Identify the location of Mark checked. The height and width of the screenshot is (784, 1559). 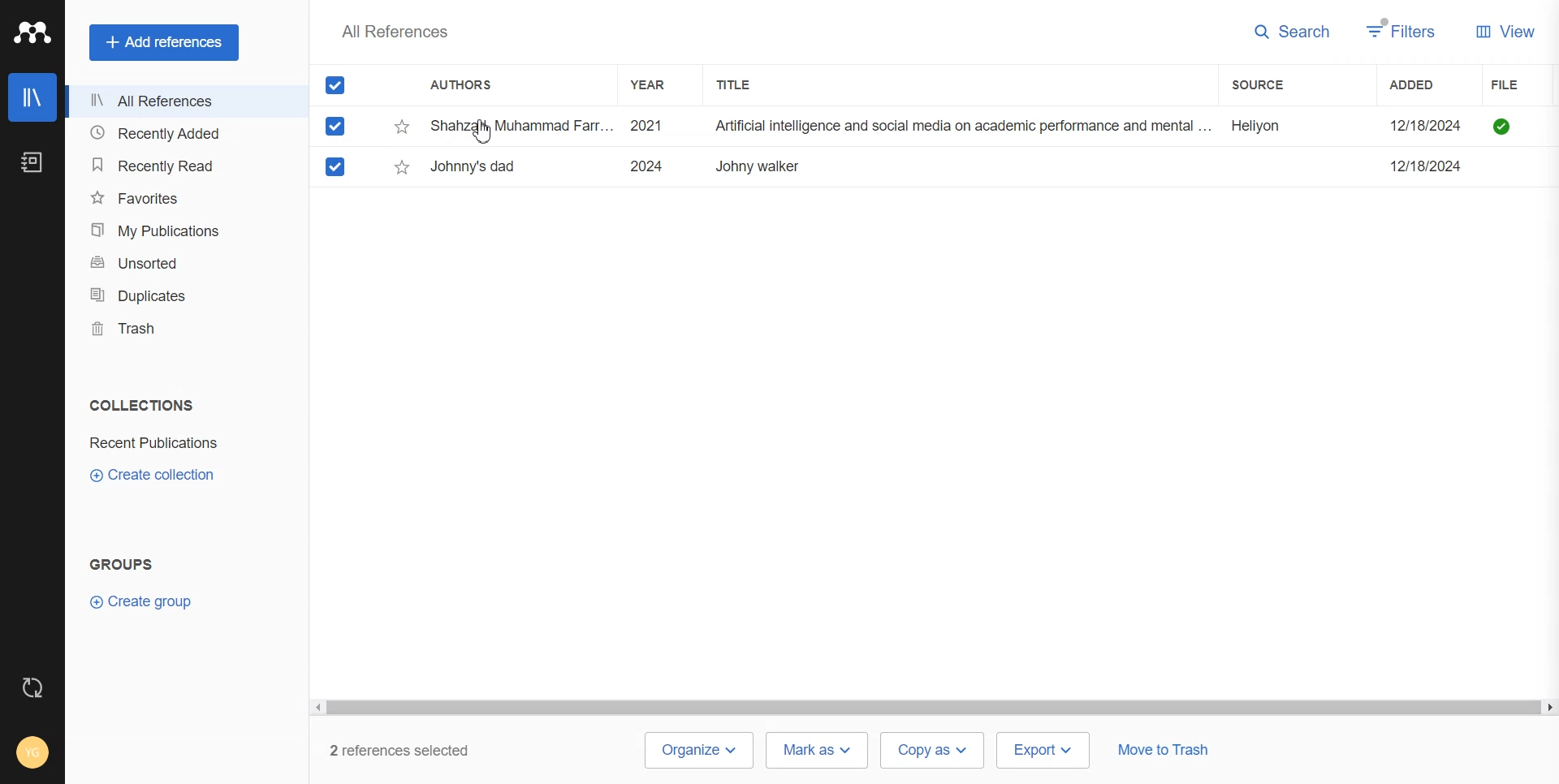
(337, 166).